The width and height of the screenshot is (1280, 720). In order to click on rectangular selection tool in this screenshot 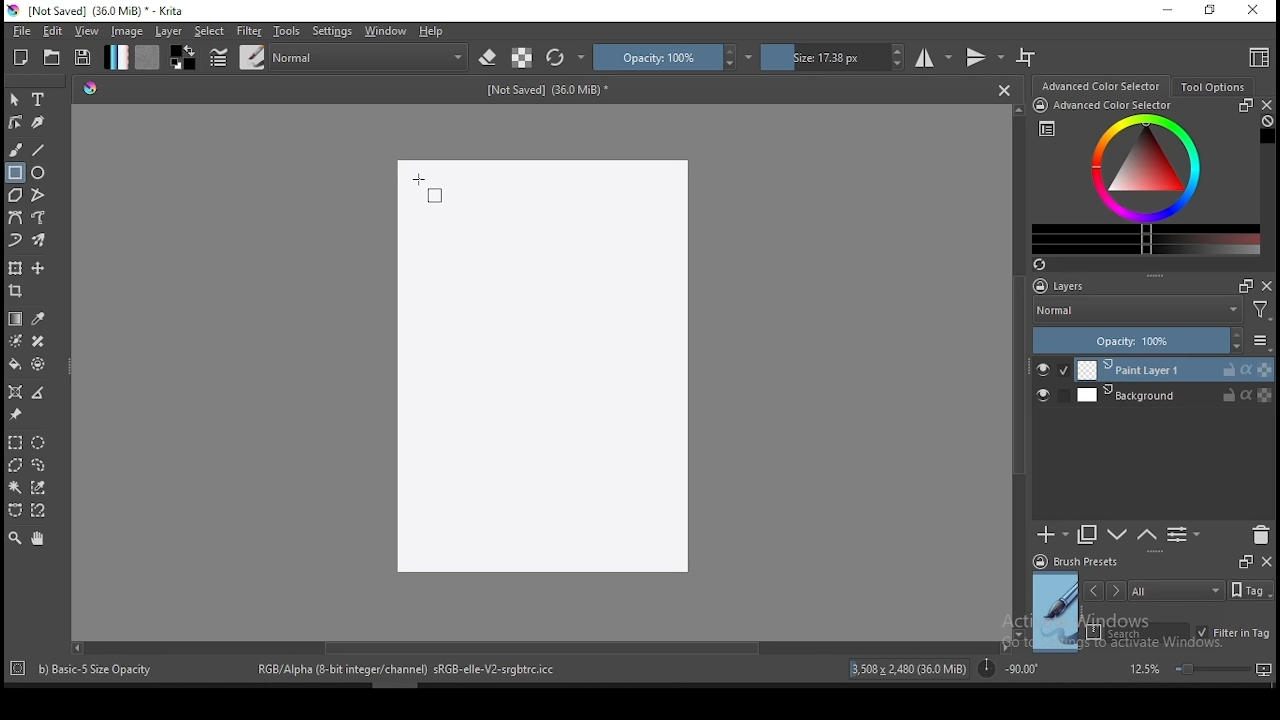, I will do `click(14, 442)`.